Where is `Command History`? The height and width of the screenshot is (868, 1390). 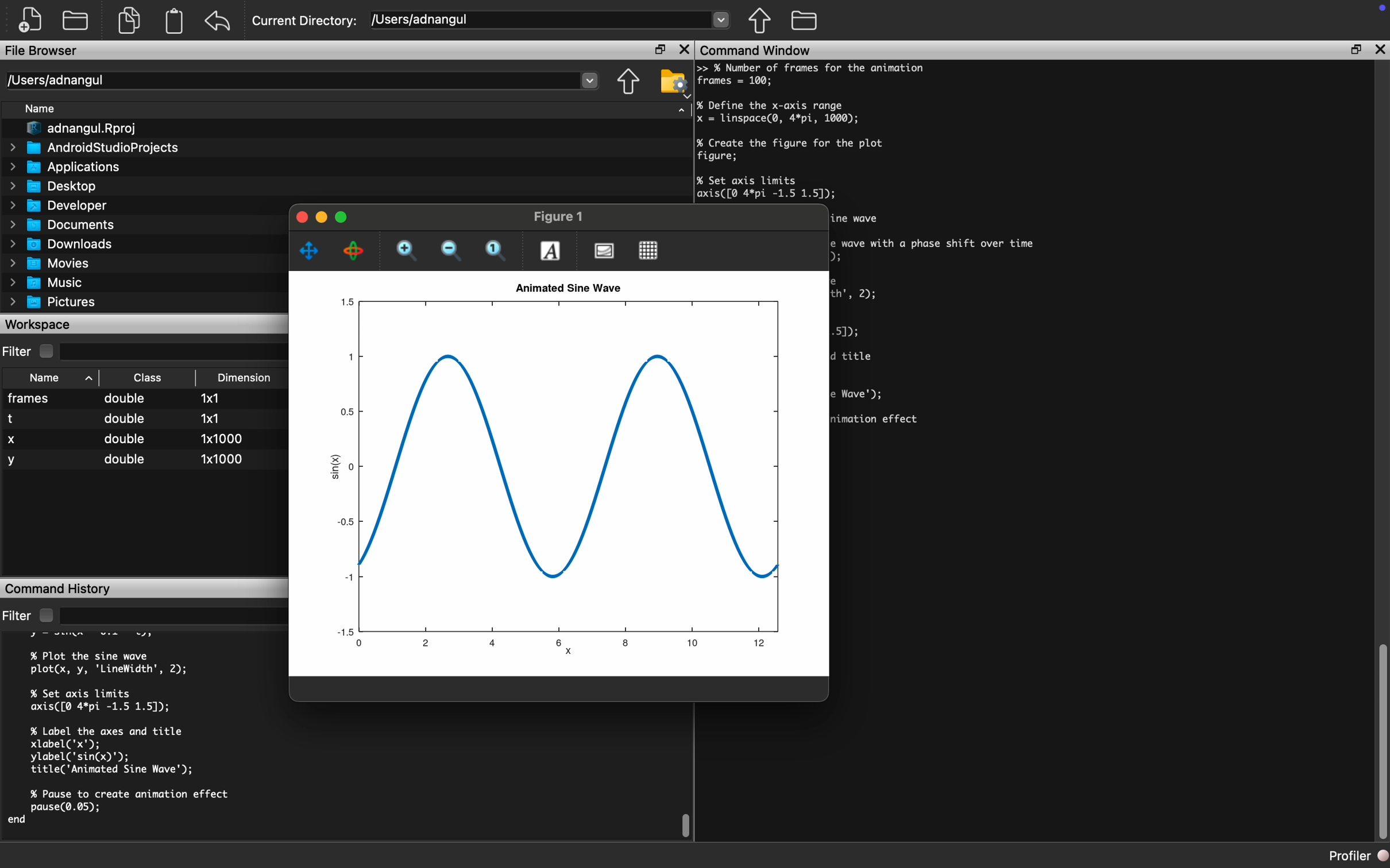 Command History is located at coordinates (60, 588).